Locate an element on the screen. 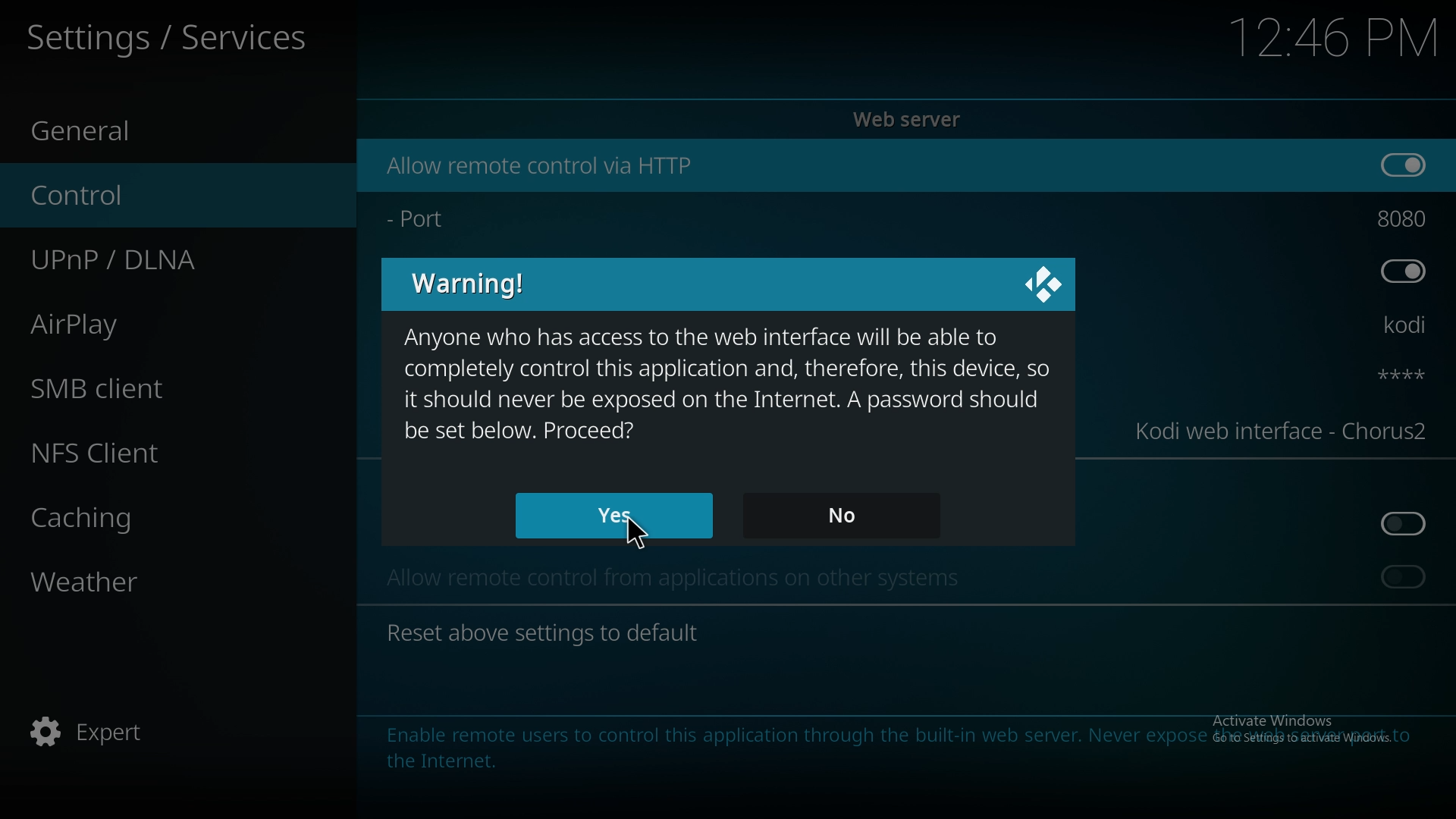 This screenshot has height=819, width=1456. control is located at coordinates (146, 193).